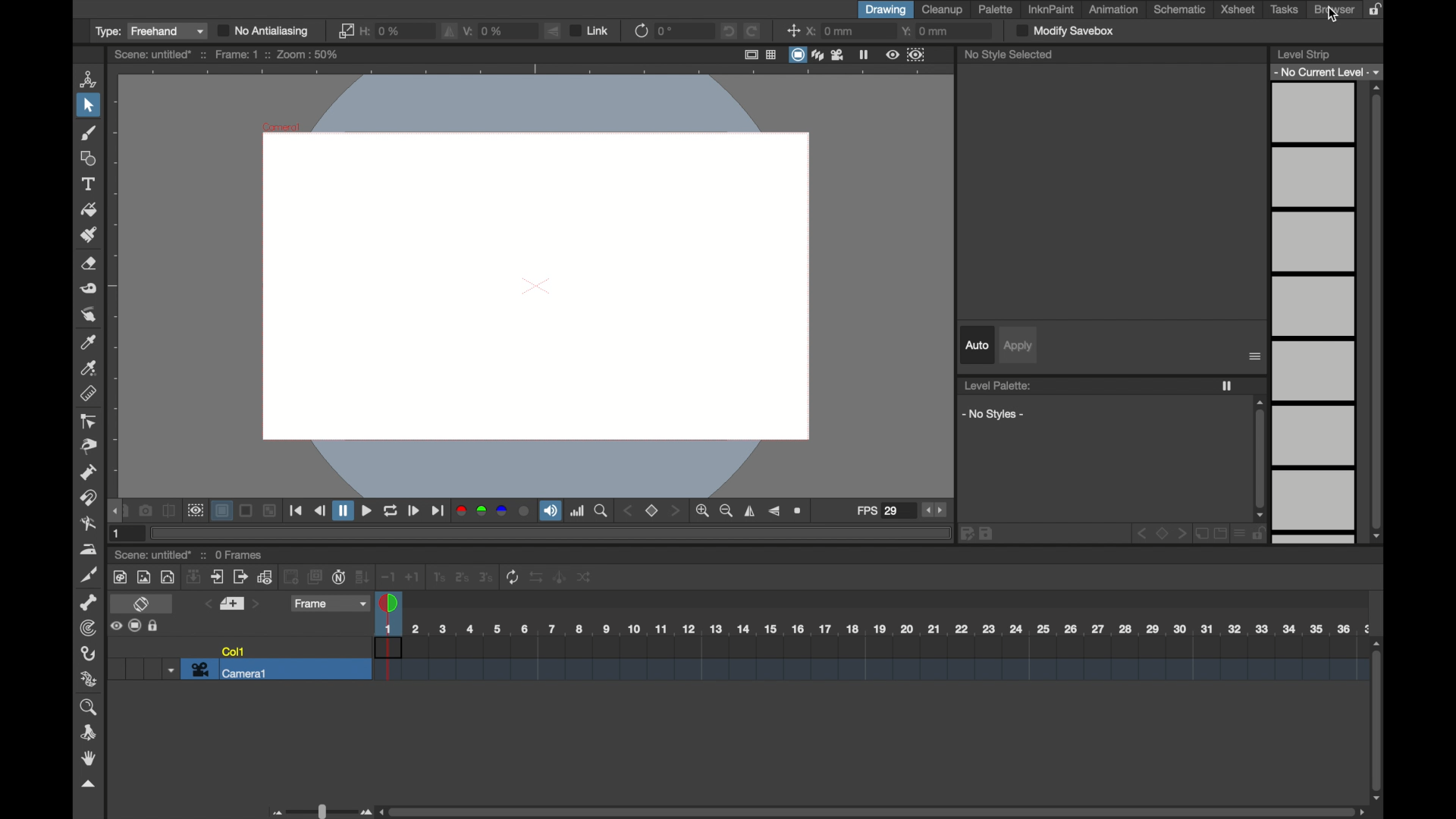 This screenshot has width=1456, height=819. Describe the element at coordinates (88, 235) in the screenshot. I see `paint brush tool` at that location.